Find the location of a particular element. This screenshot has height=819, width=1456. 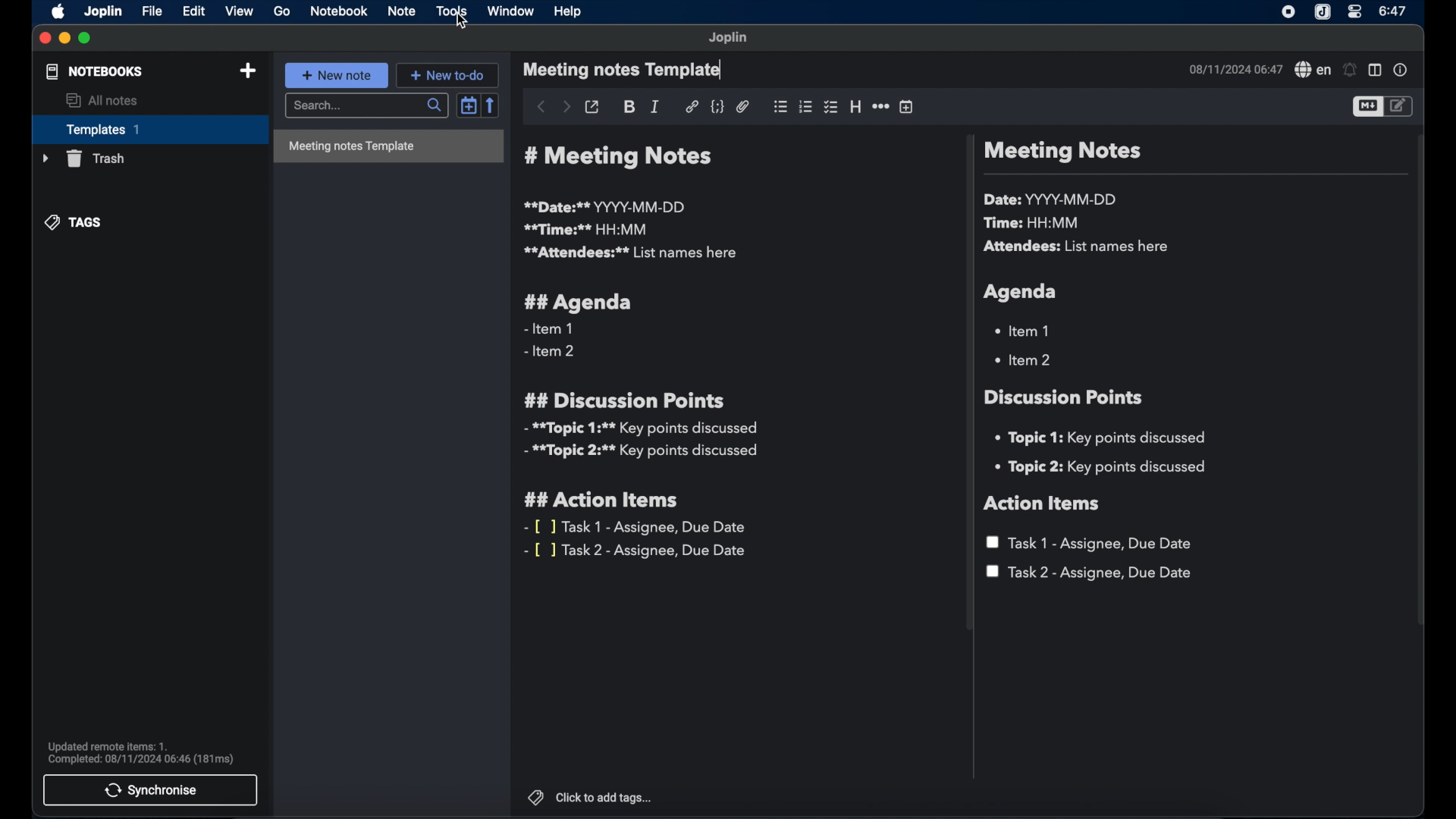

meeting notes template  is located at coordinates (388, 147).